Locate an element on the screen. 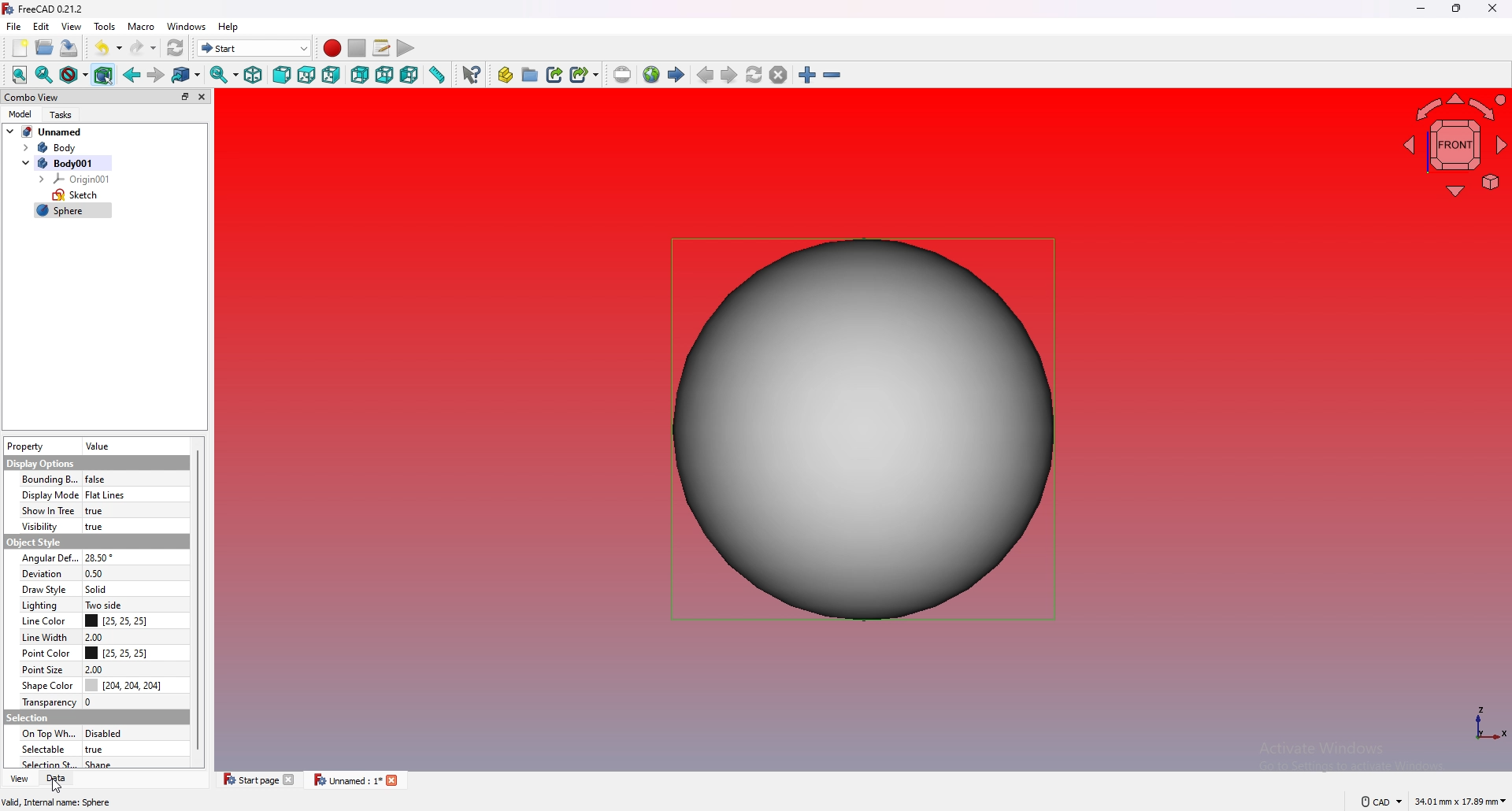 This screenshot has width=1512, height=811. object style is located at coordinates (35, 542).